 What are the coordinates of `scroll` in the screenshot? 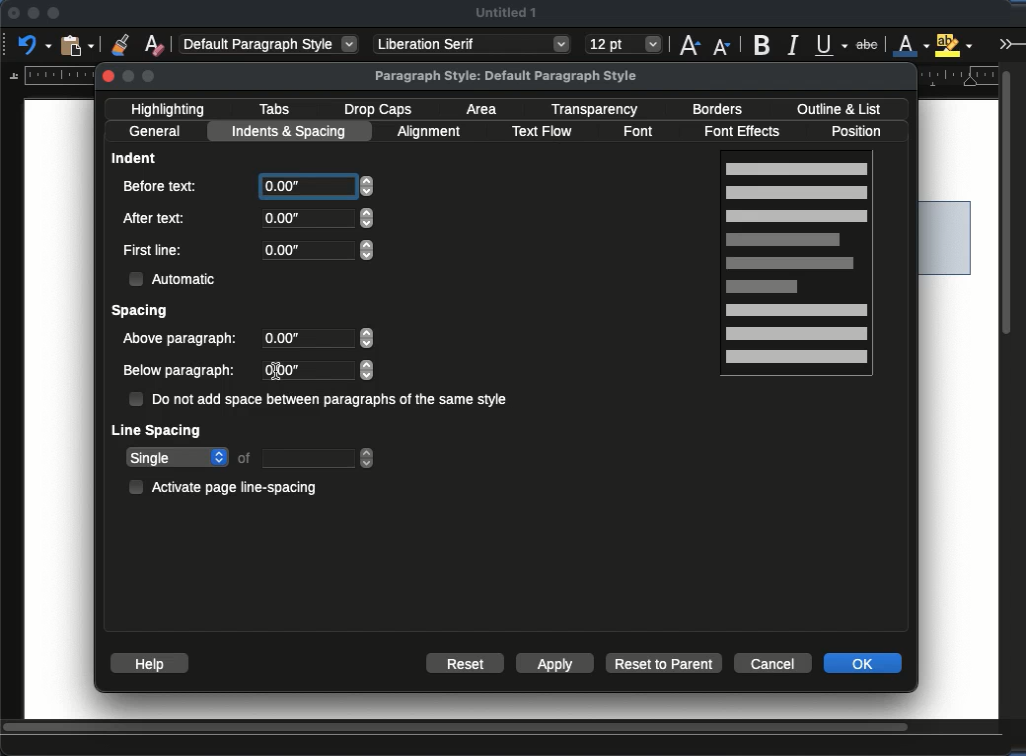 It's located at (1012, 389).